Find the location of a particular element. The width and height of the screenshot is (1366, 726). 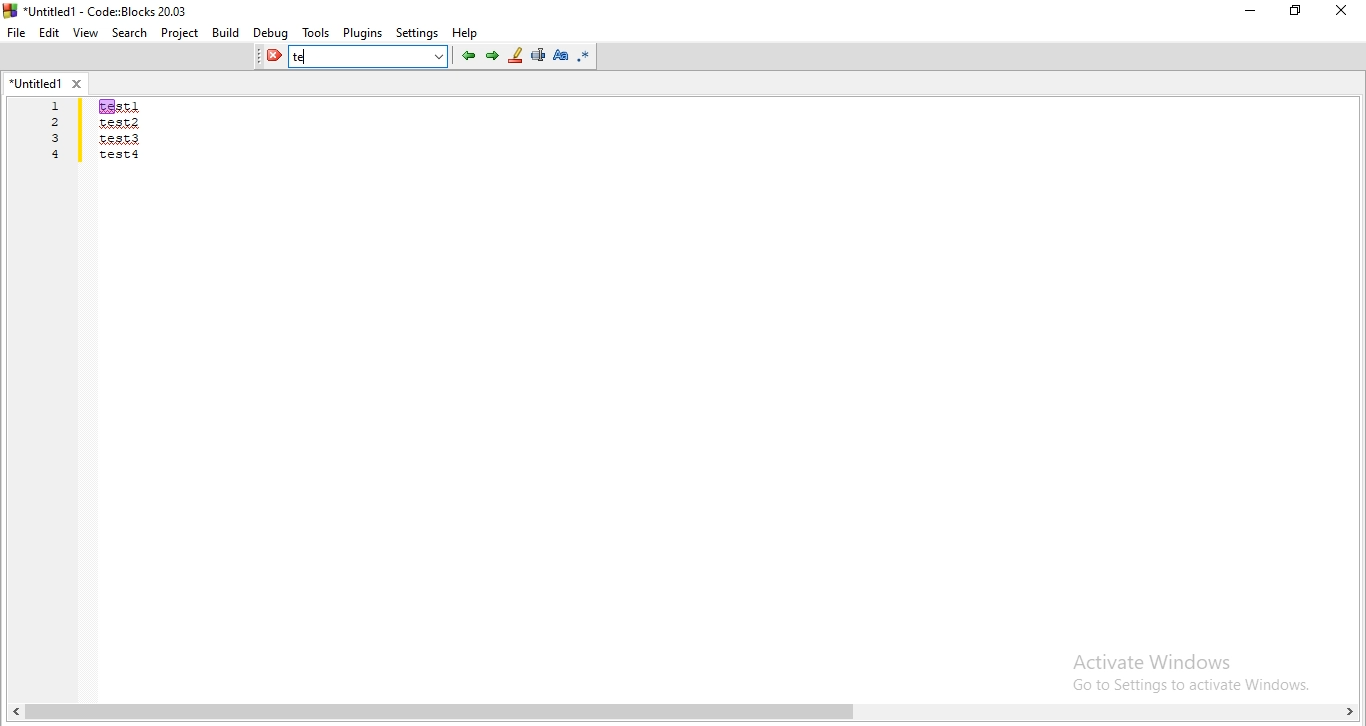

test3 is located at coordinates (121, 138).